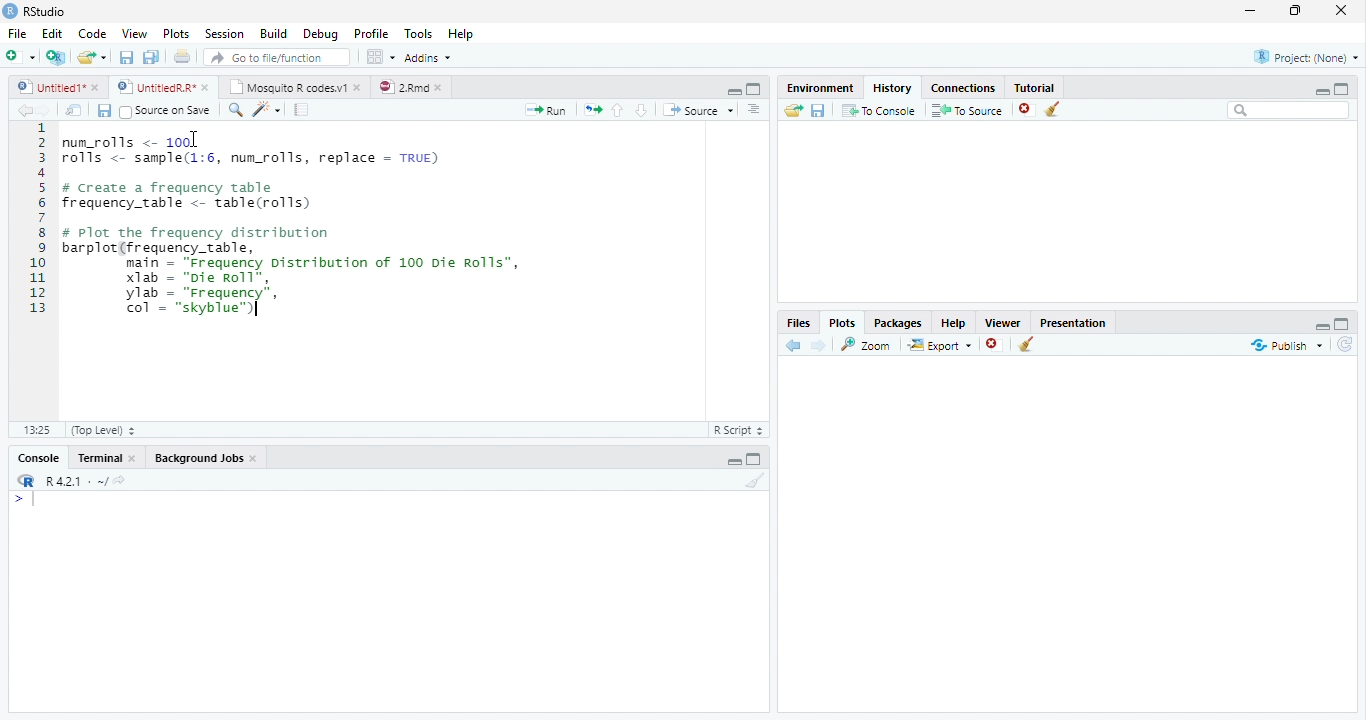  I want to click on Go to previous section of code, so click(619, 111).